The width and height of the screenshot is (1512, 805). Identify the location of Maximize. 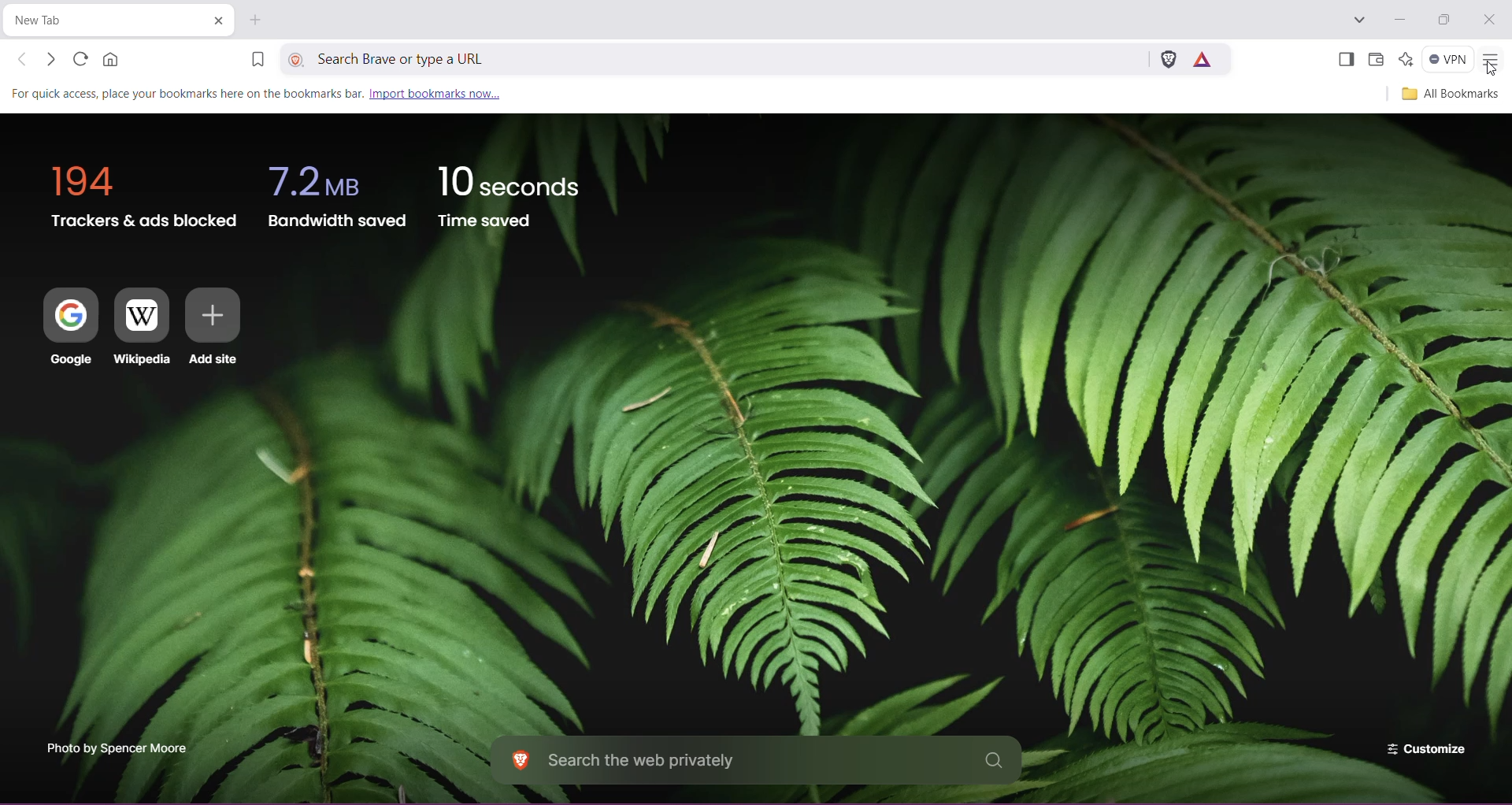
(1443, 21).